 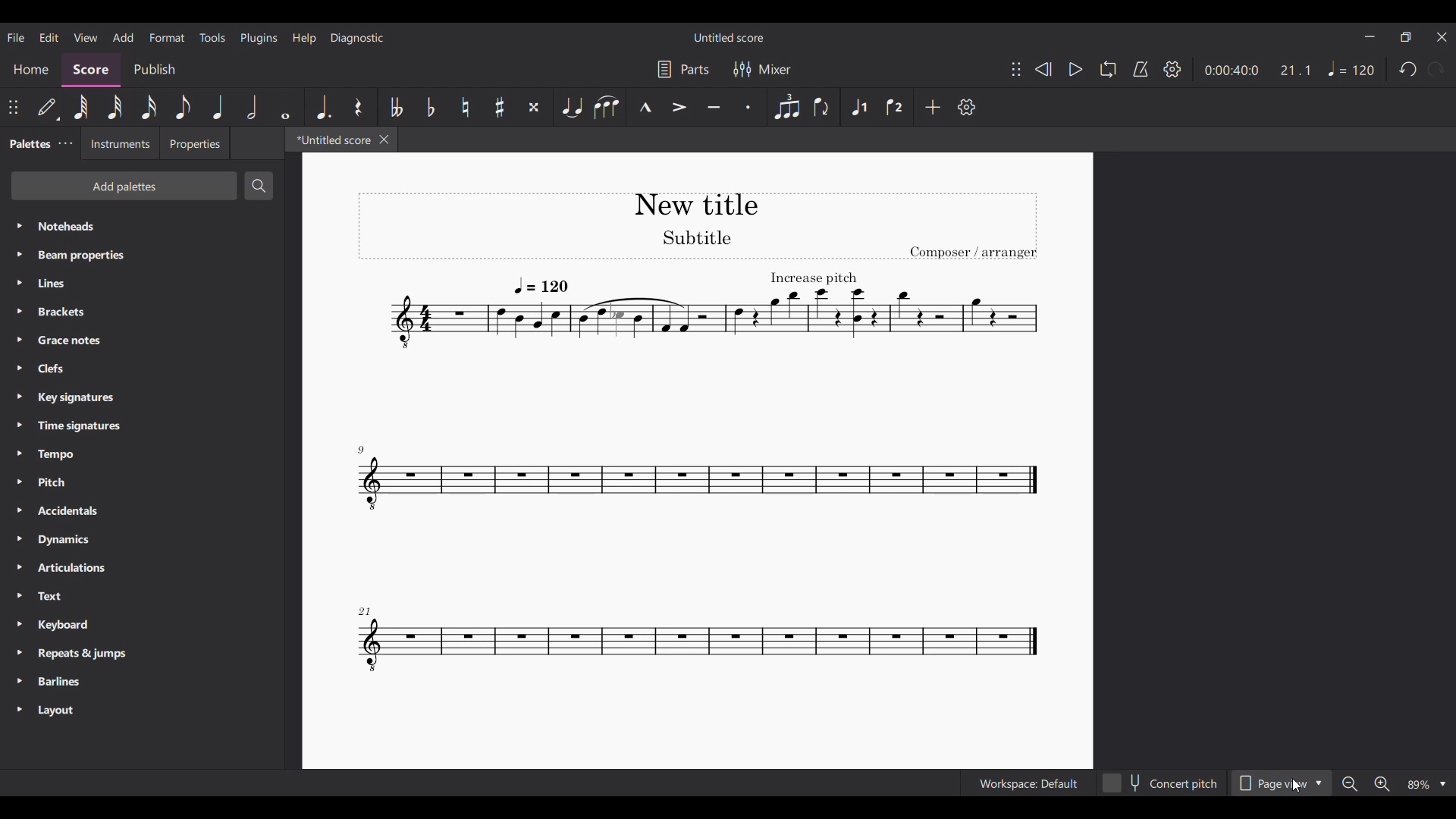 What do you see at coordinates (149, 107) in the screenshot?
I see `16th note` at bounding box center [149, 107].